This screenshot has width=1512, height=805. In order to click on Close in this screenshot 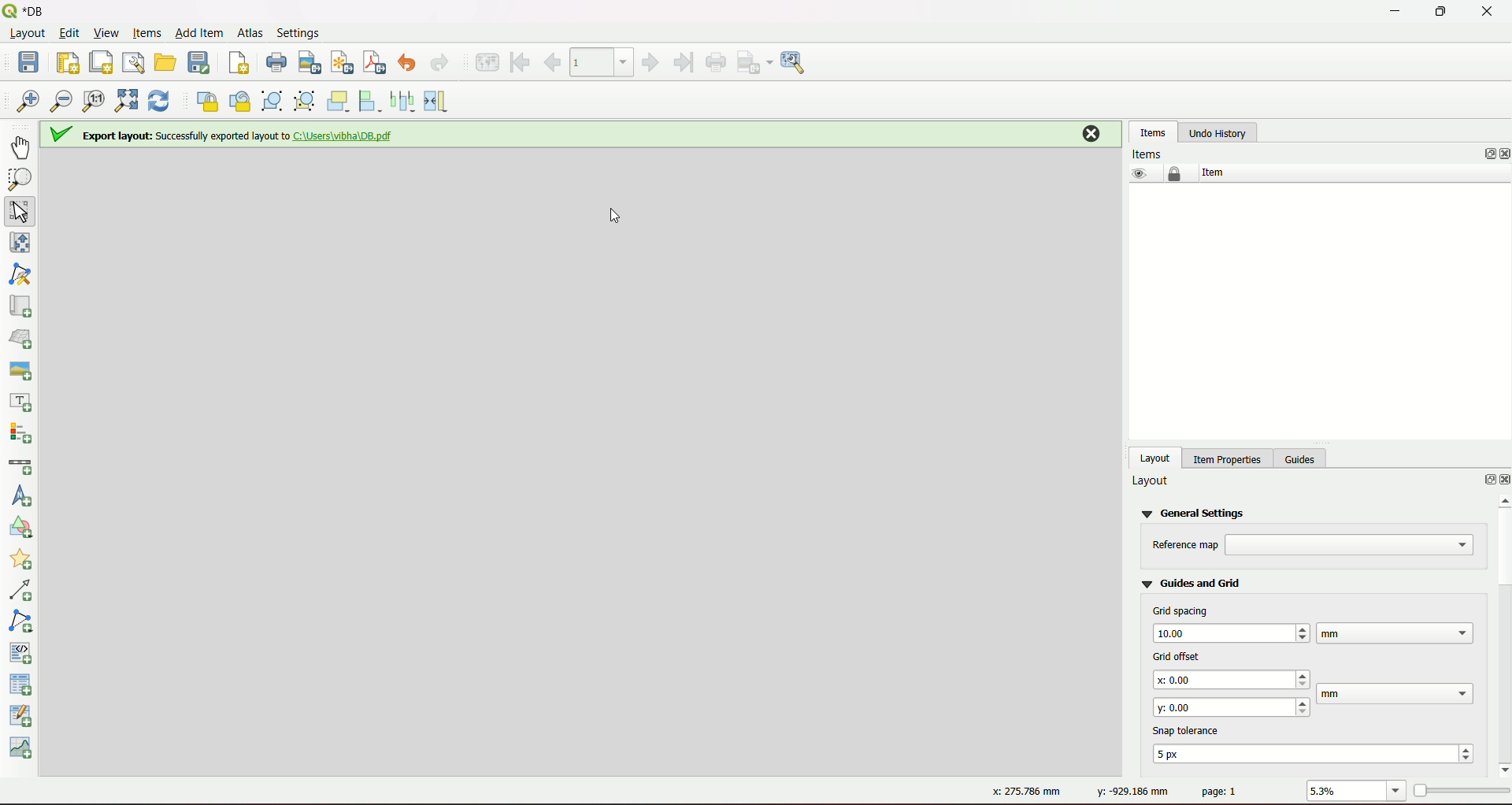, I will do `click(1088, 135)`.